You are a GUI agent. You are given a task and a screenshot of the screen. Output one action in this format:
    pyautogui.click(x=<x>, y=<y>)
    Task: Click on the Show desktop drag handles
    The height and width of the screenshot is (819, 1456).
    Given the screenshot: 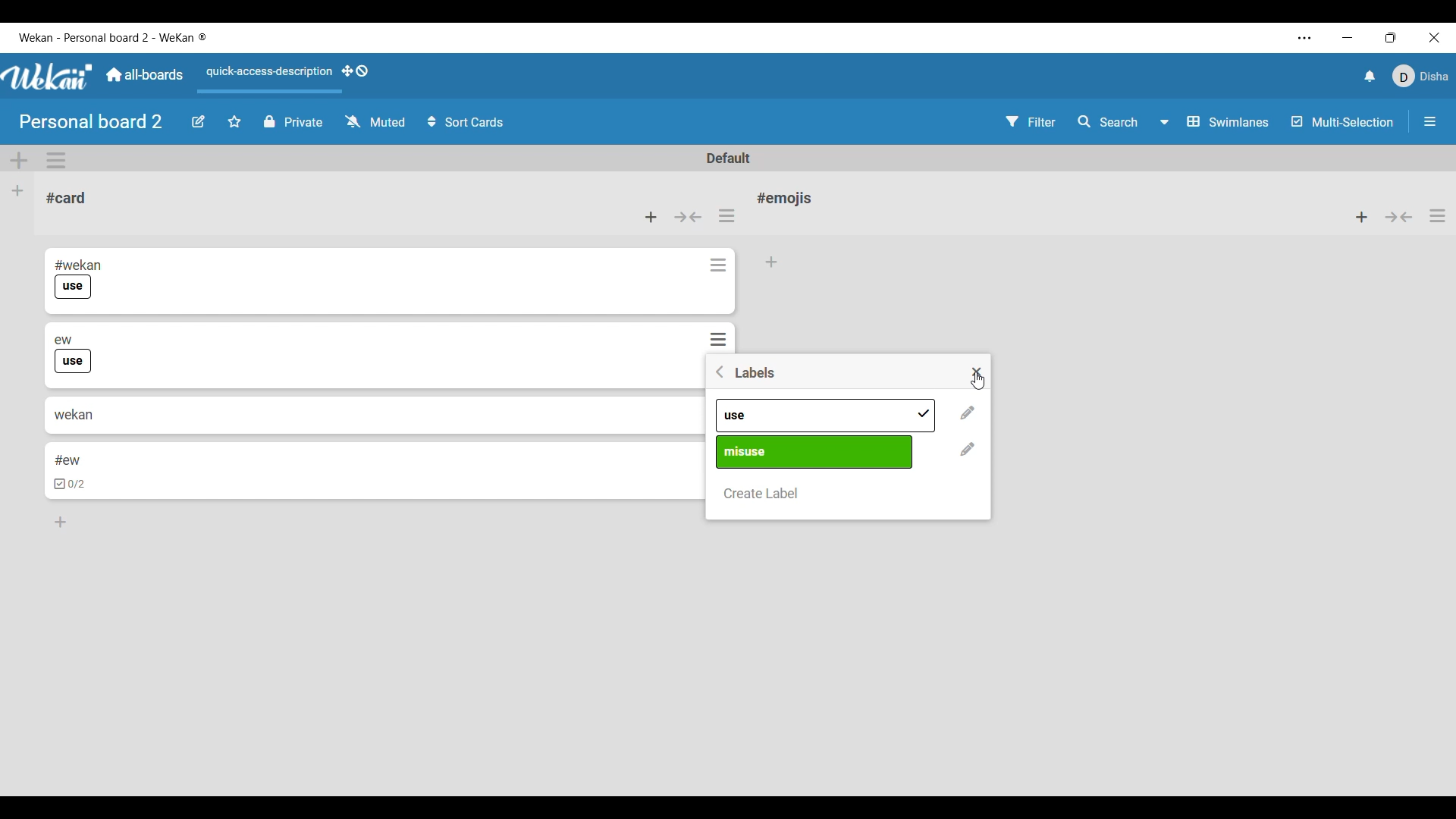 What is the action you would take?
    pyautogui.click(x=355, y=71)
    